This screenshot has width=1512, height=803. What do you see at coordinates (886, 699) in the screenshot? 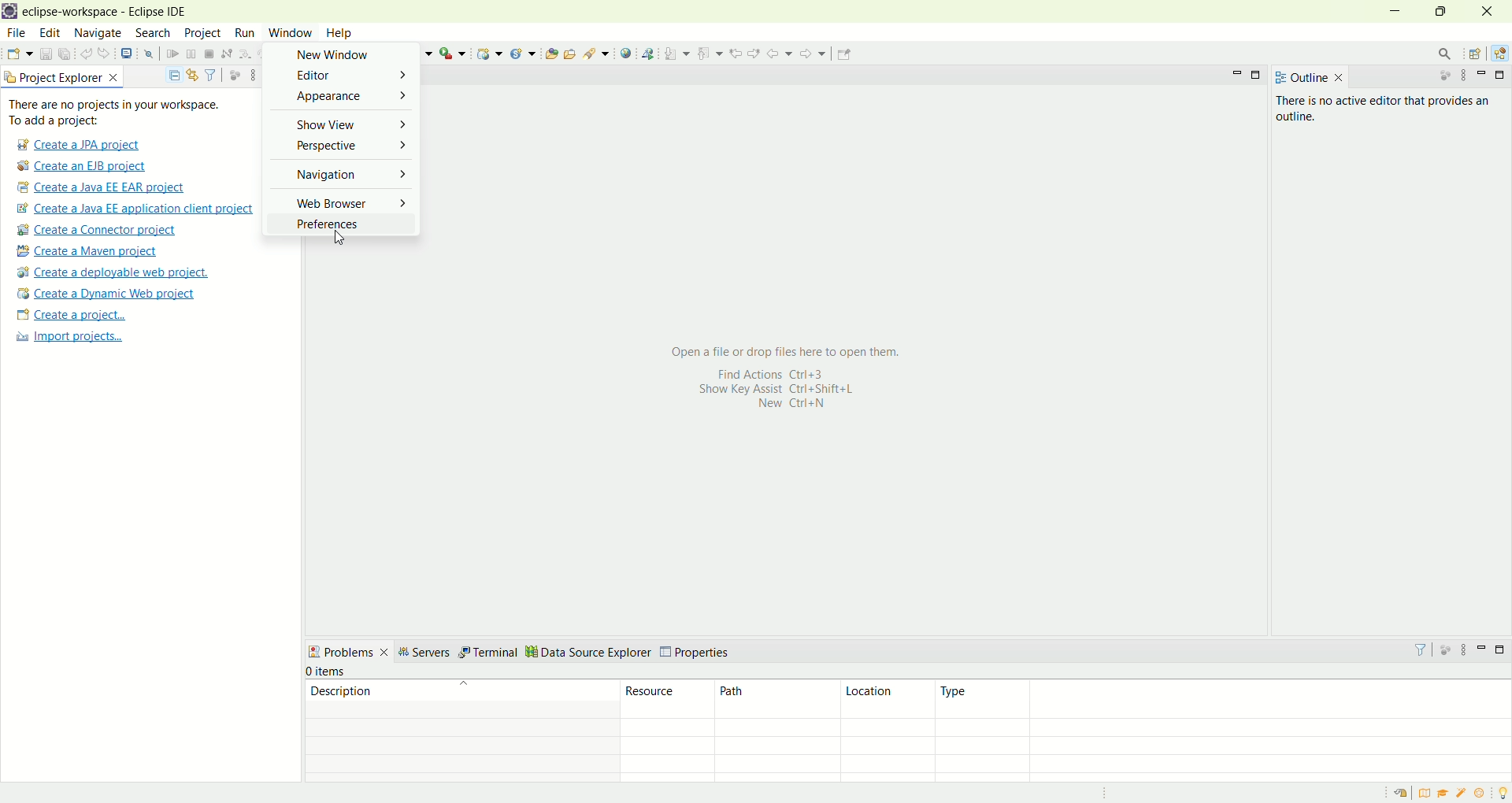
I see `location` at bounding box center [886, 699].